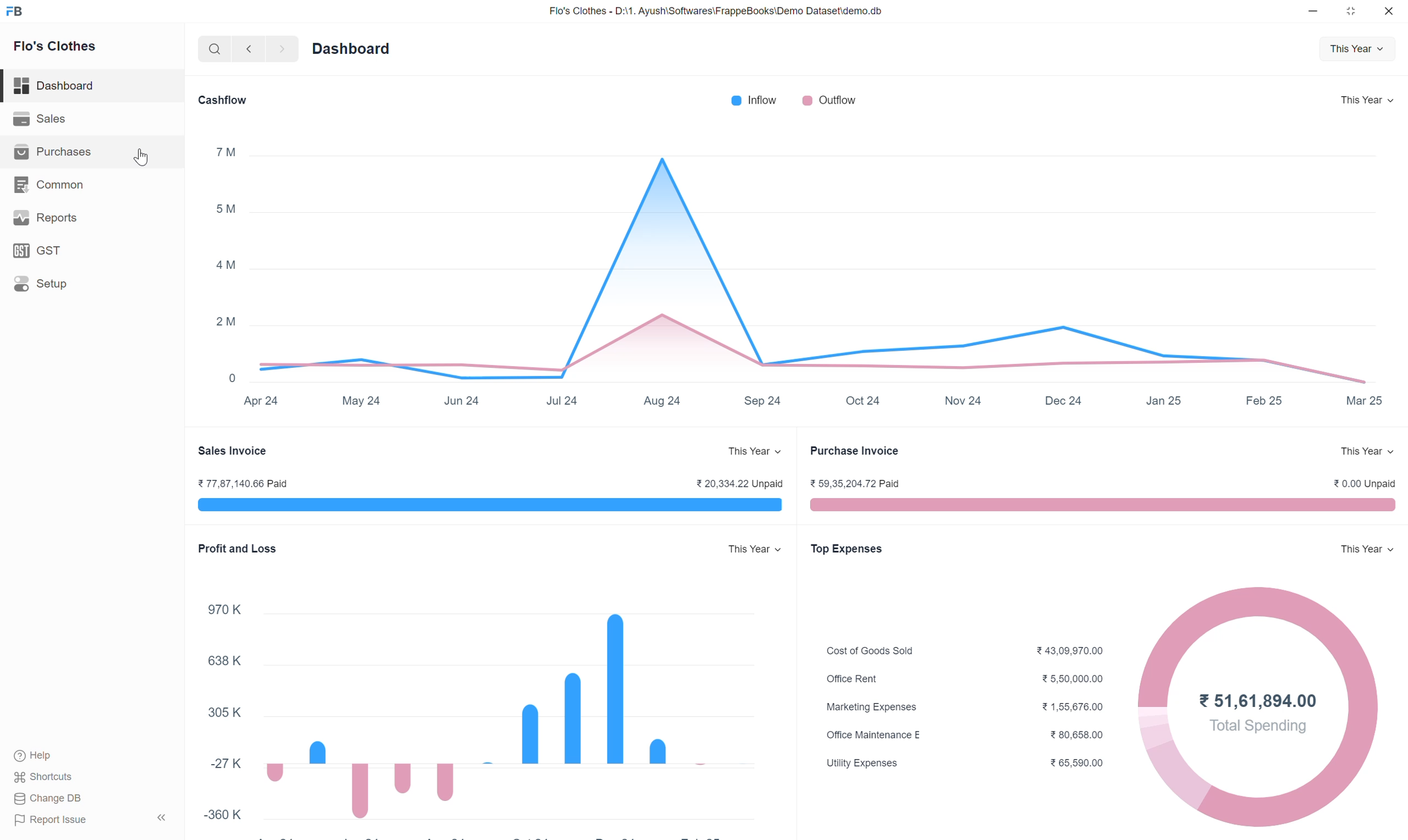 The image size is (1408, 840). I want to click on Cost of Goods Sold 43,09,970.00, so click(964, 648).